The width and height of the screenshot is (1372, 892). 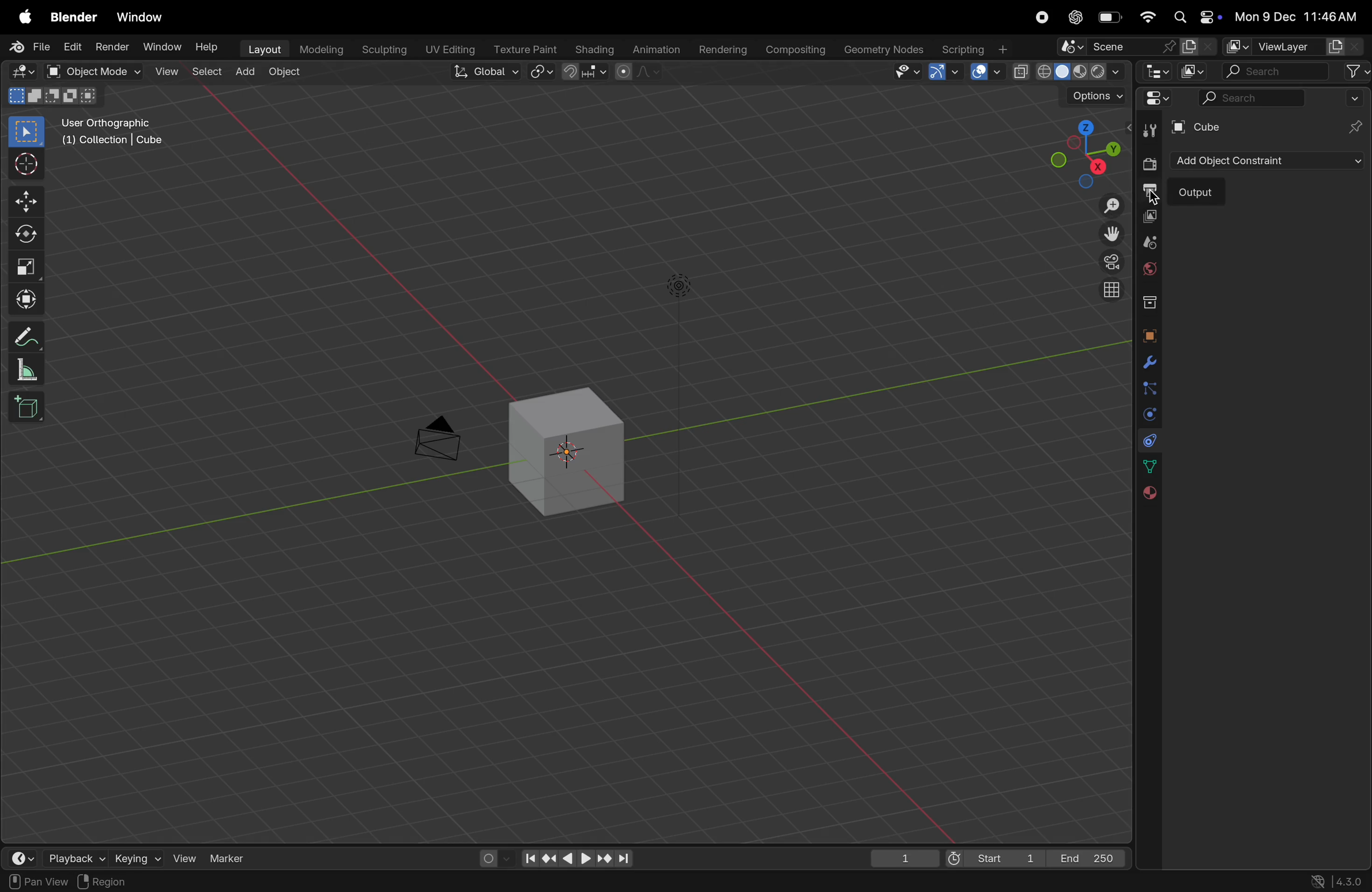 What do you see at coordinates (1148, 361) in the screenshot?
I see `modifiers` at bounding box center [1148, 361].